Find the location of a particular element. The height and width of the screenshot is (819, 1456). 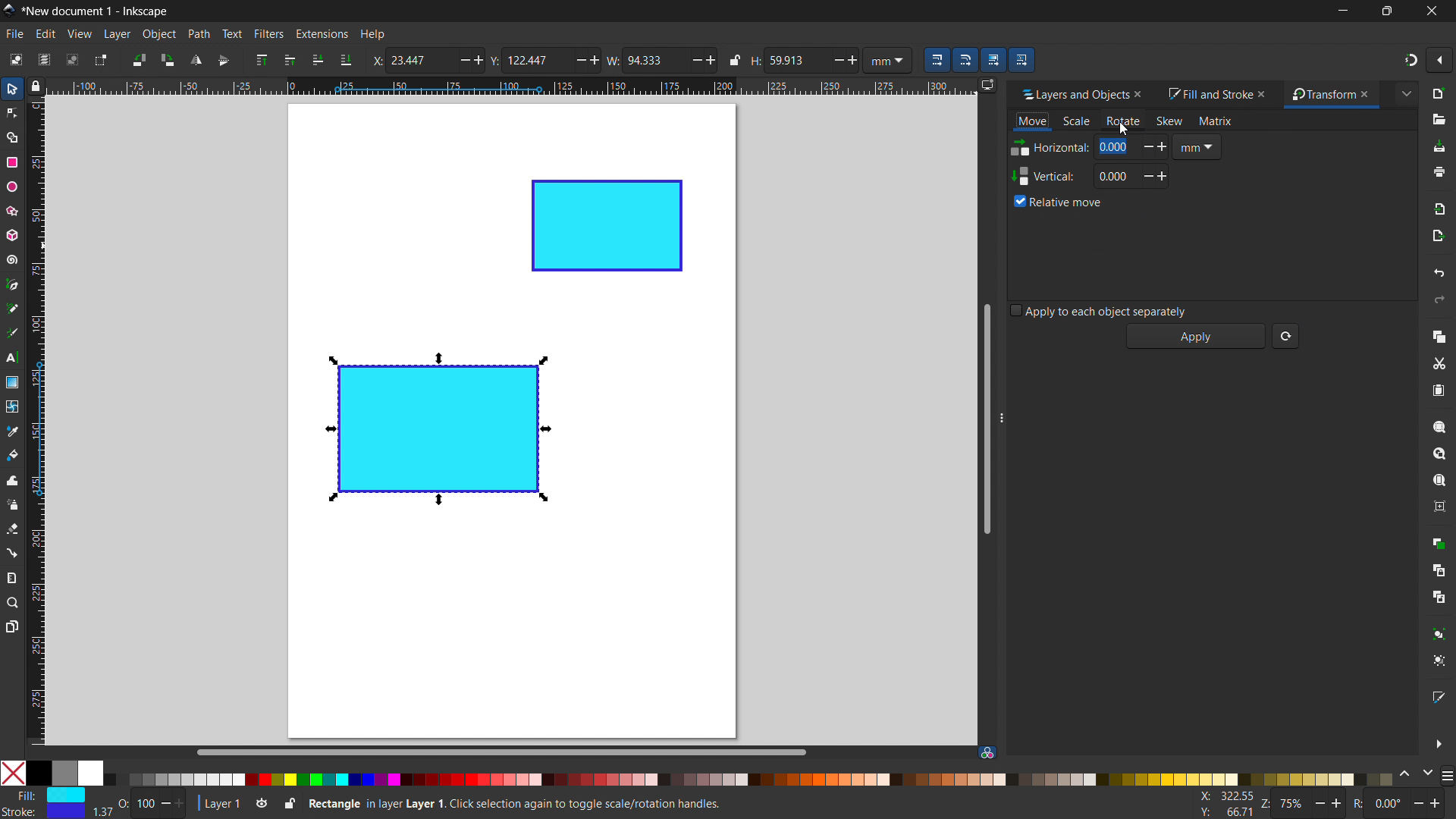

color managed is located at coordinates (987, 752).